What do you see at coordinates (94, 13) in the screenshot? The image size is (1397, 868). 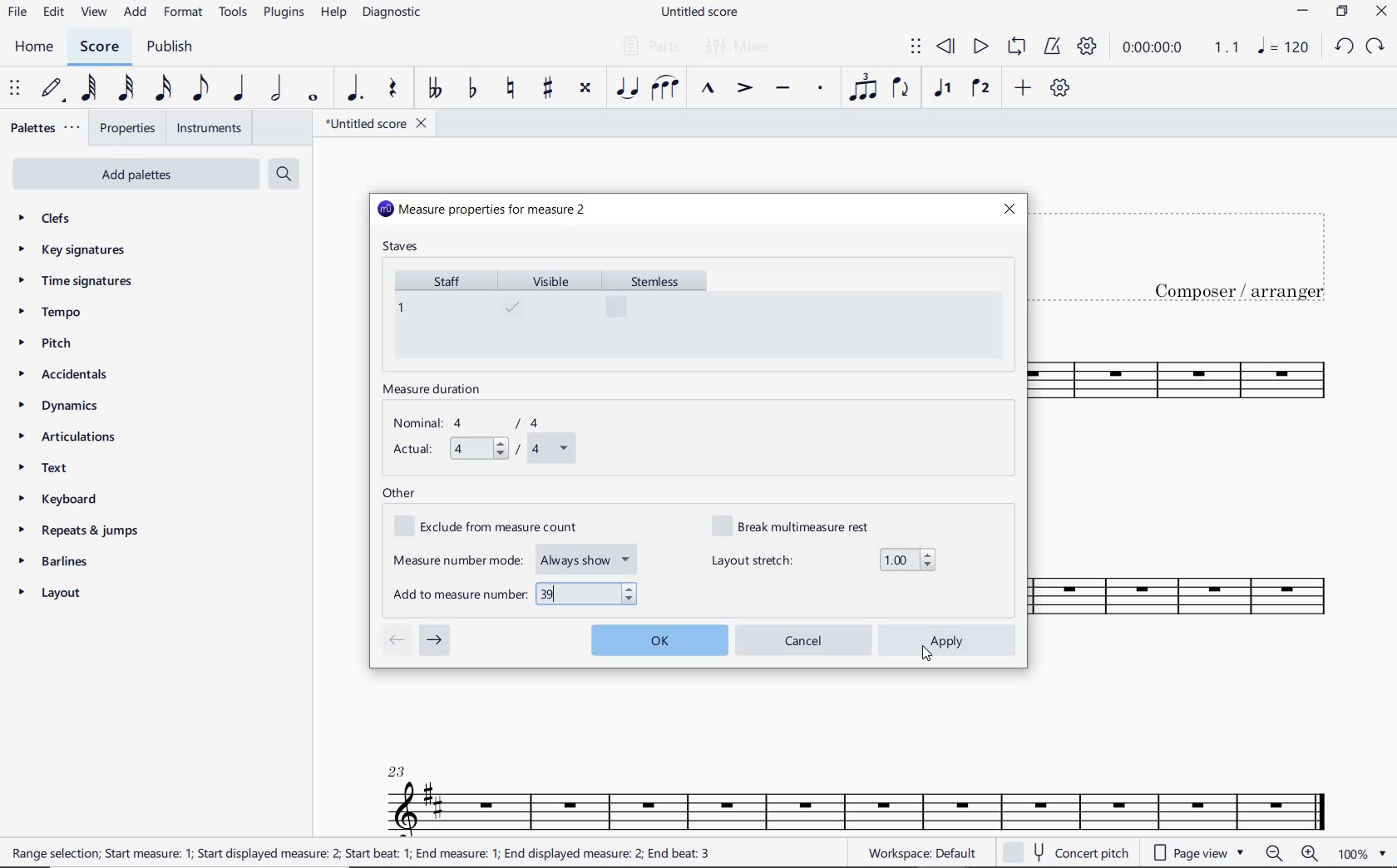 I see `VIEW` at bounding box center [94, 13].